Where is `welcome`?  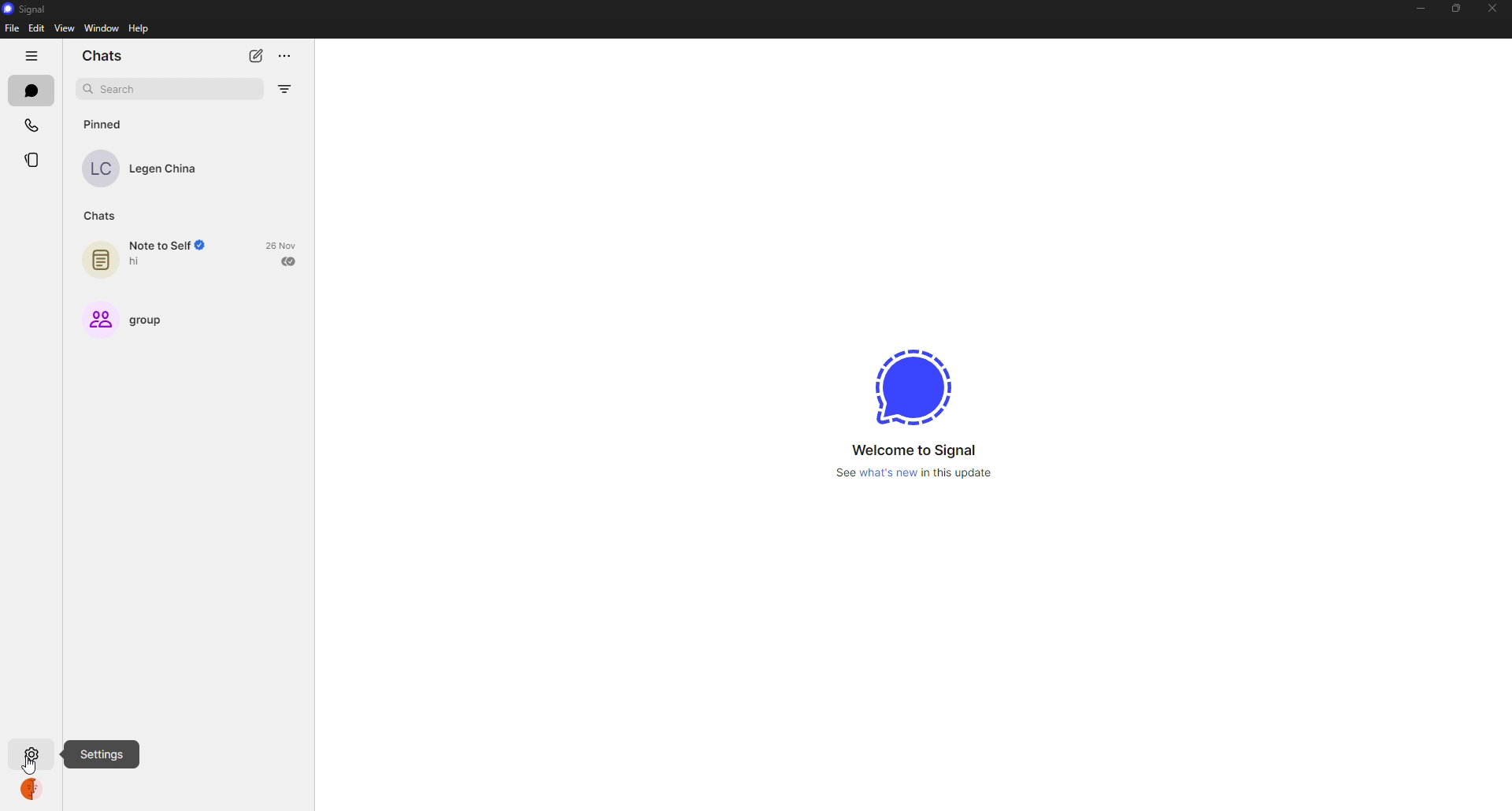 welcome is located at coordinates (917, 450).